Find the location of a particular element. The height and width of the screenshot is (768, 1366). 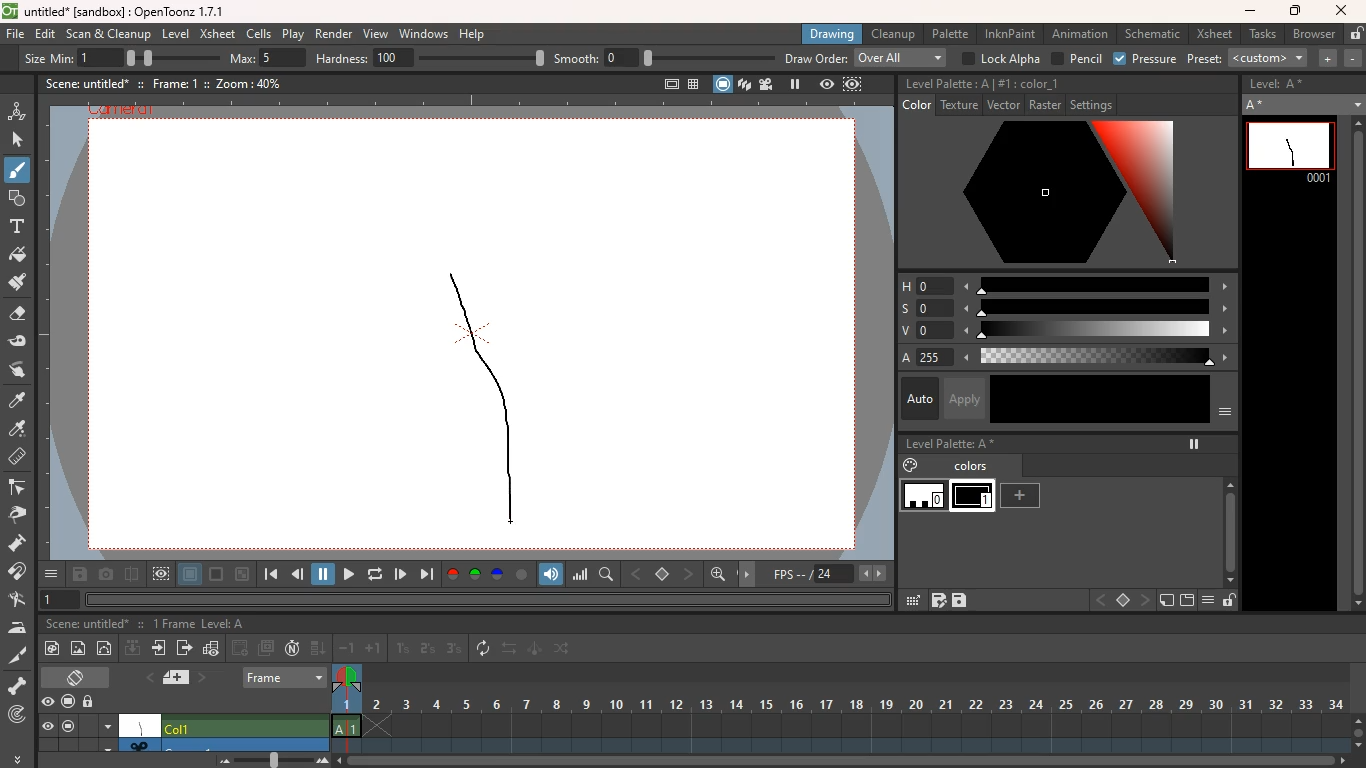

frame is located at coordinates (285, 675).